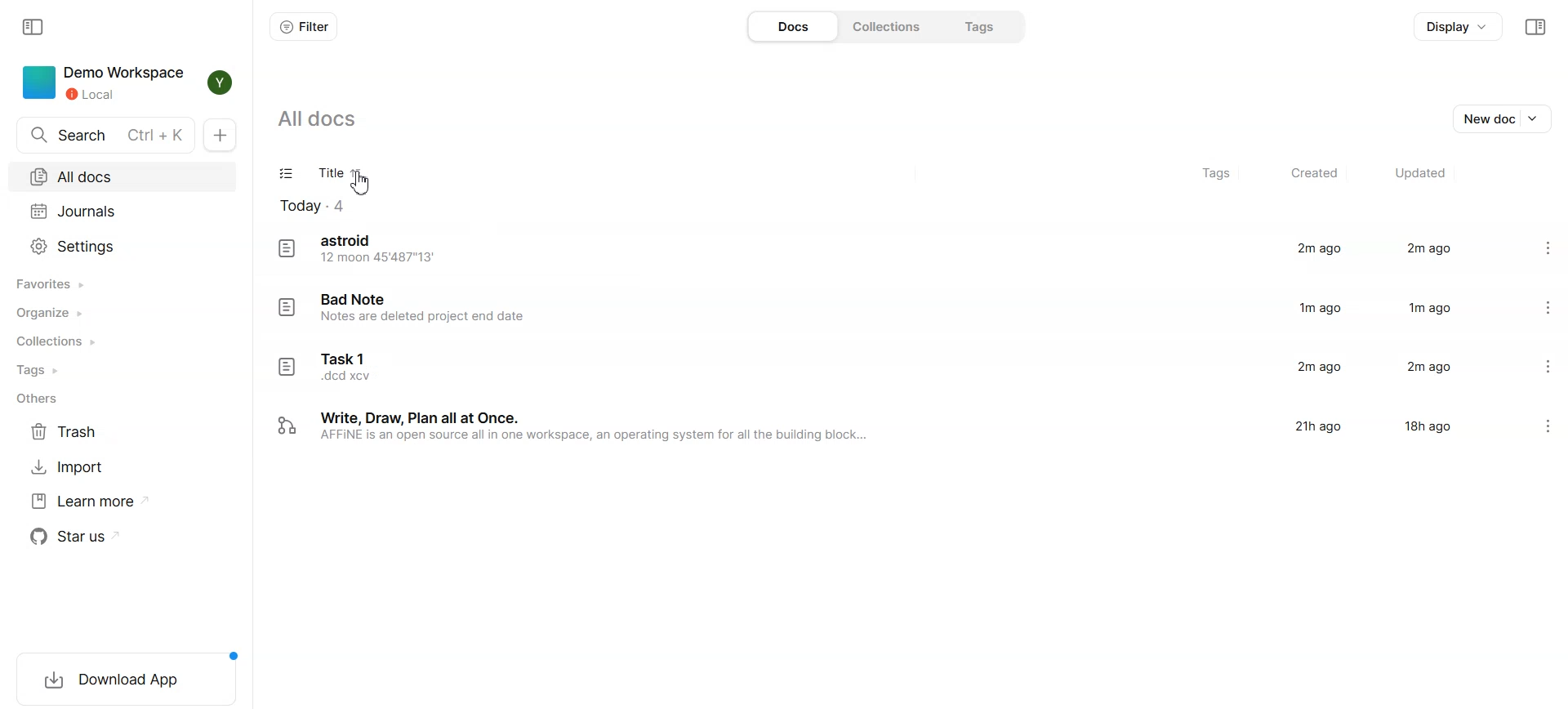  Describe the element at coordinates (69, 397) in the screenshot. I see `Others` at that location.